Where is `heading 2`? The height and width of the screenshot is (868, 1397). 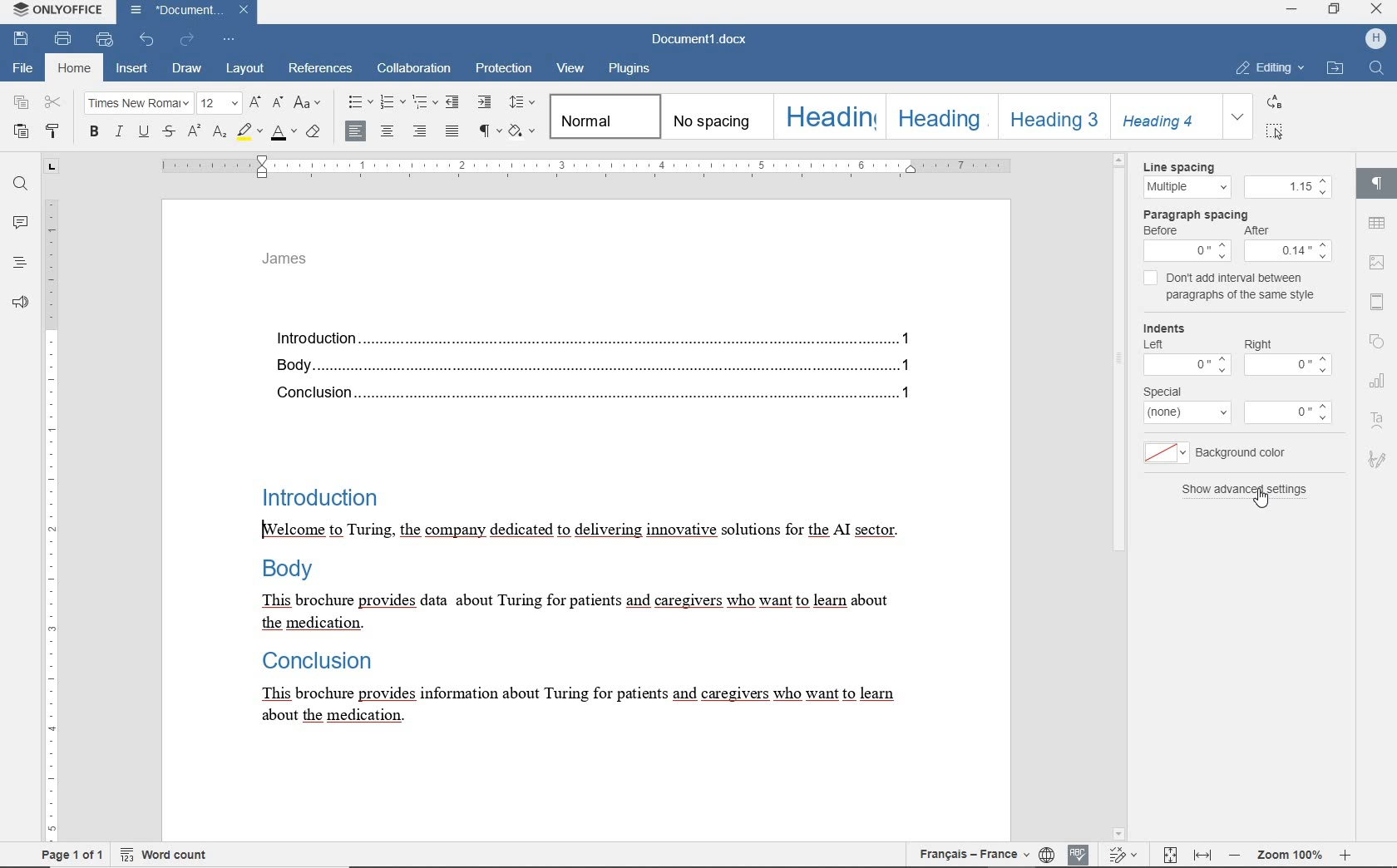
heading 2 is located at coordinates (938, 116).